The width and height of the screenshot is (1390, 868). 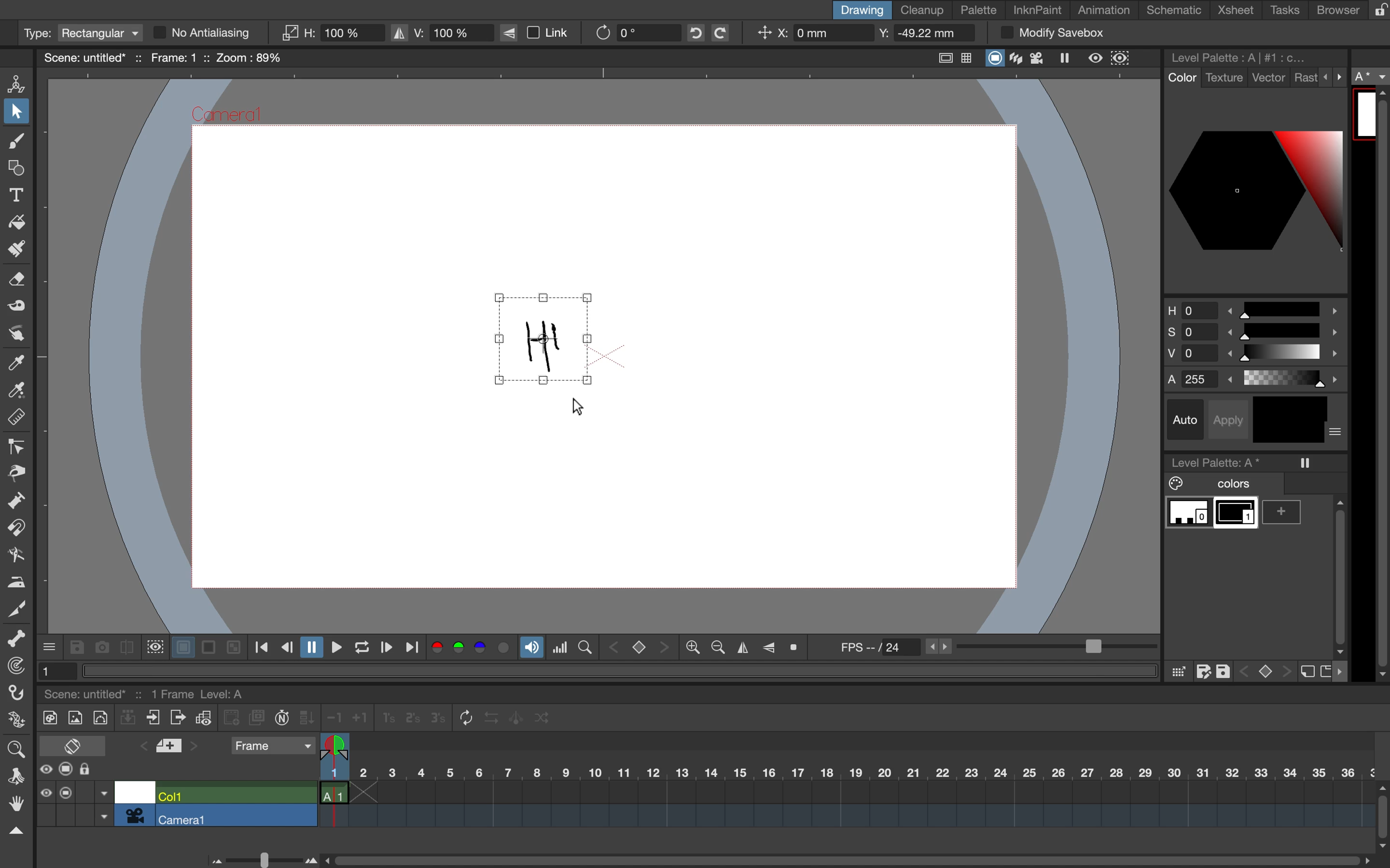 What do you see at coordinates (921, 34) in the screenshot?
I see `y coordinate` at bounding box center [921, 34].